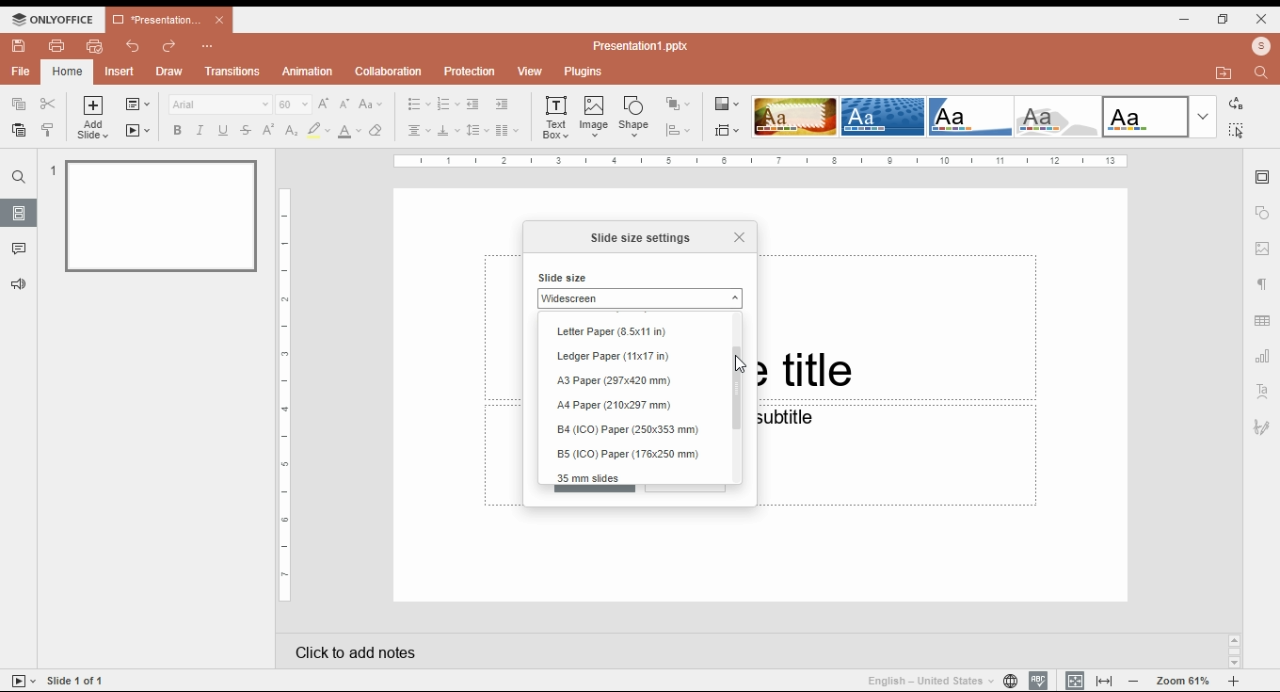 This screenshot has height=692, width=1280. I want to click on Scroll bar, so click(1234, 650).